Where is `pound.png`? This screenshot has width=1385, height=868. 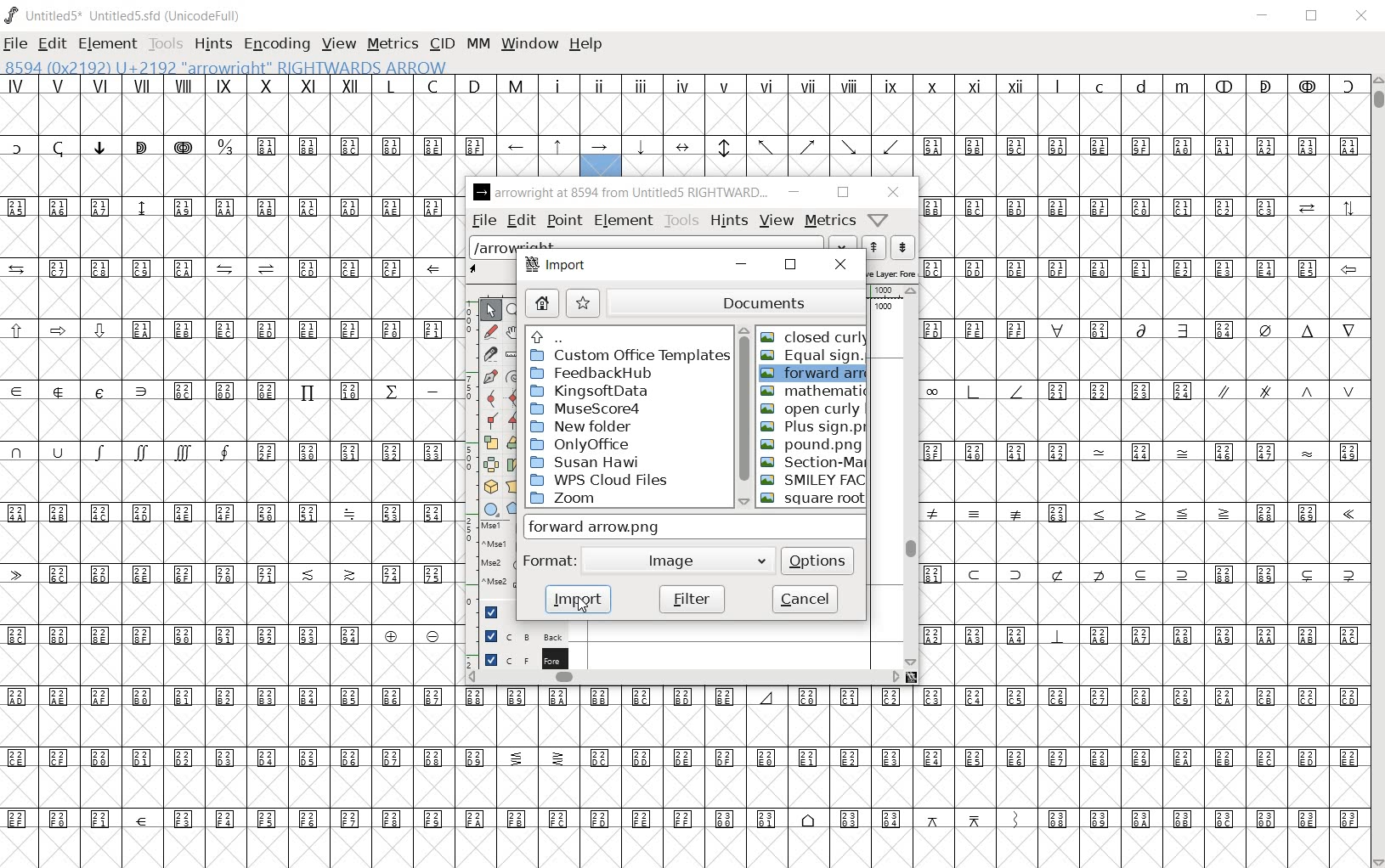 pound.png is located at coordinates (810, 445).